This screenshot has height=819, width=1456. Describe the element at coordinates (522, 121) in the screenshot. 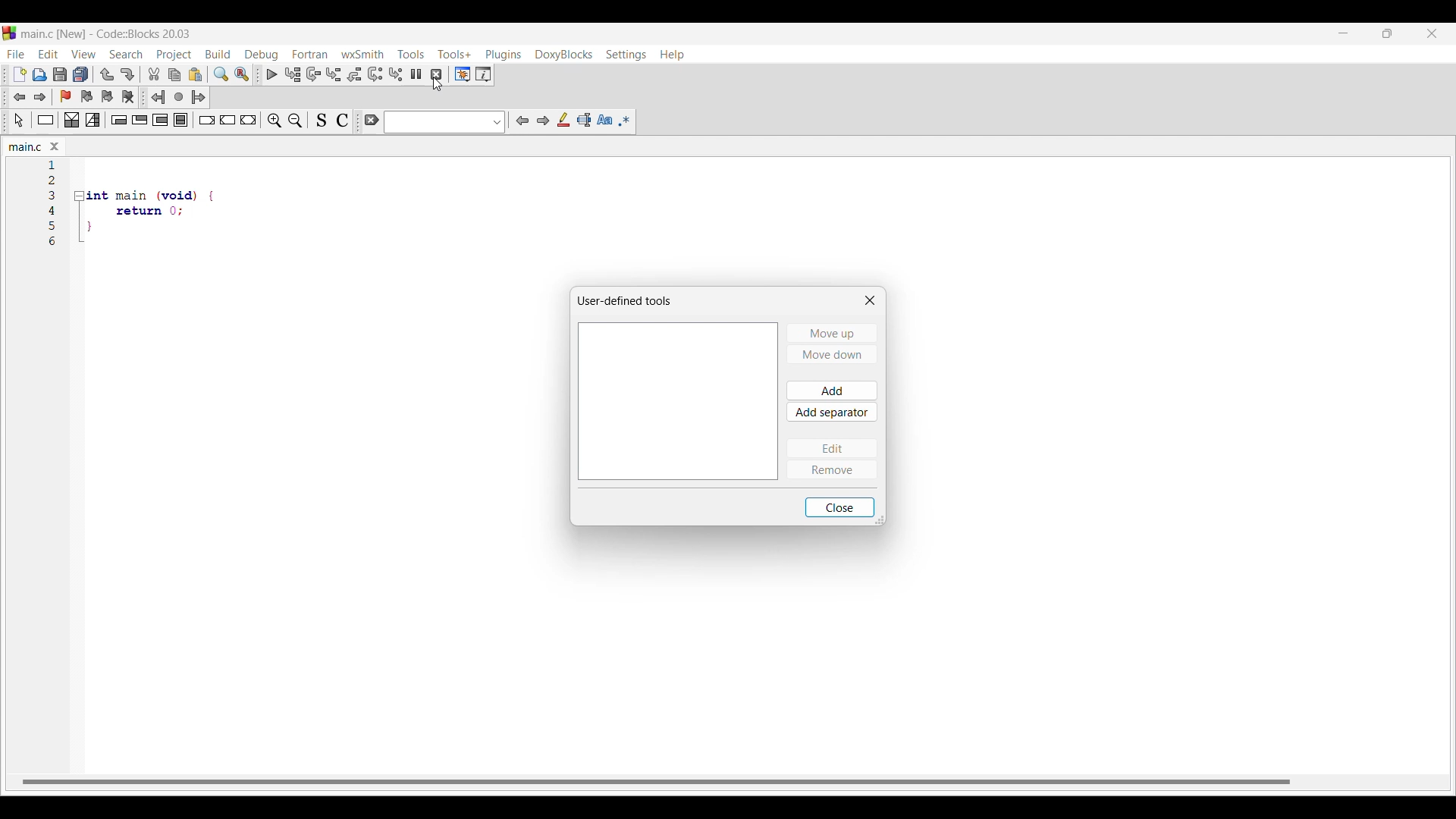

I see `Previous` at that location.